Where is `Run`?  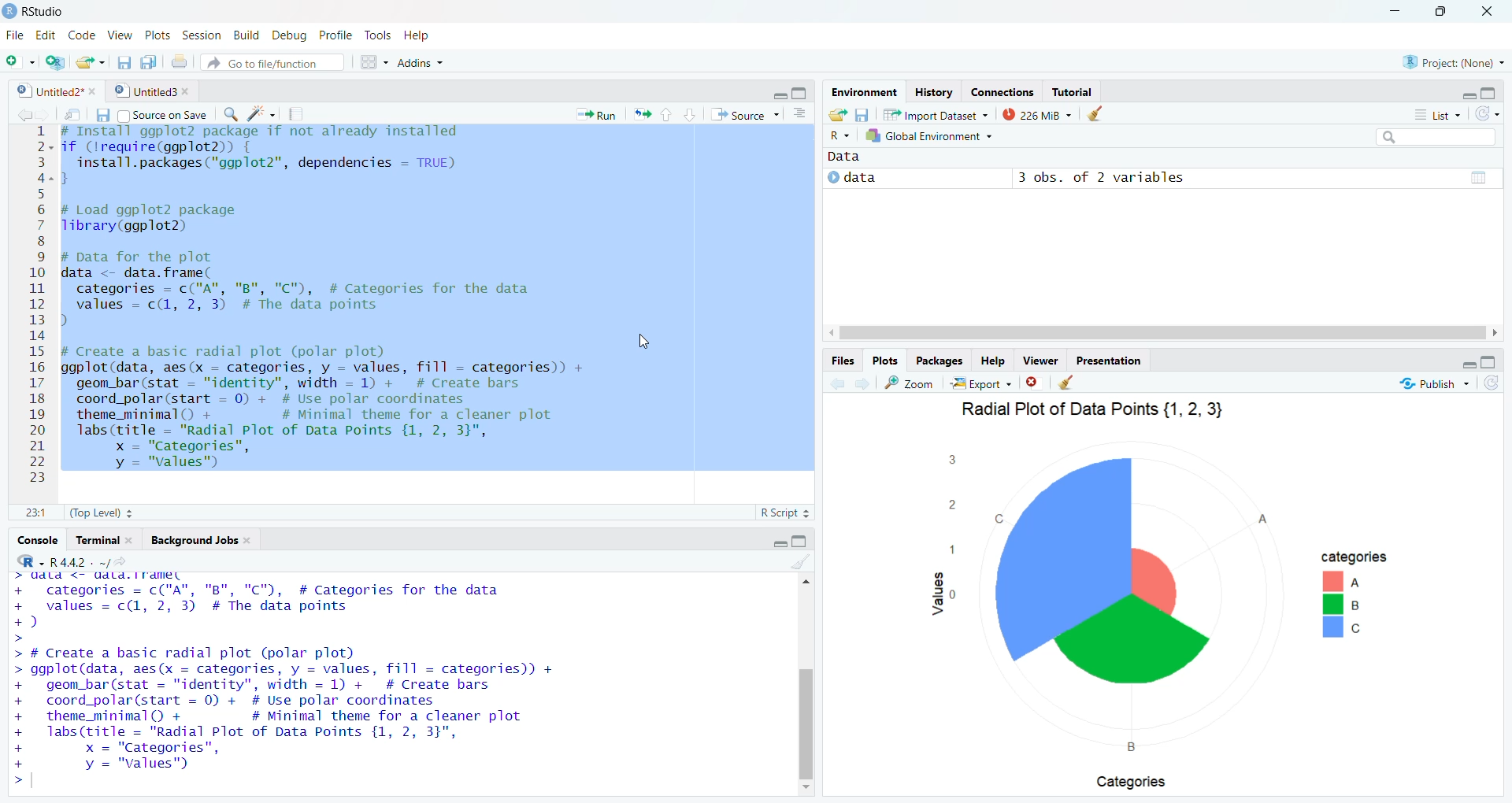
Run is located at coordinates (597, 115).